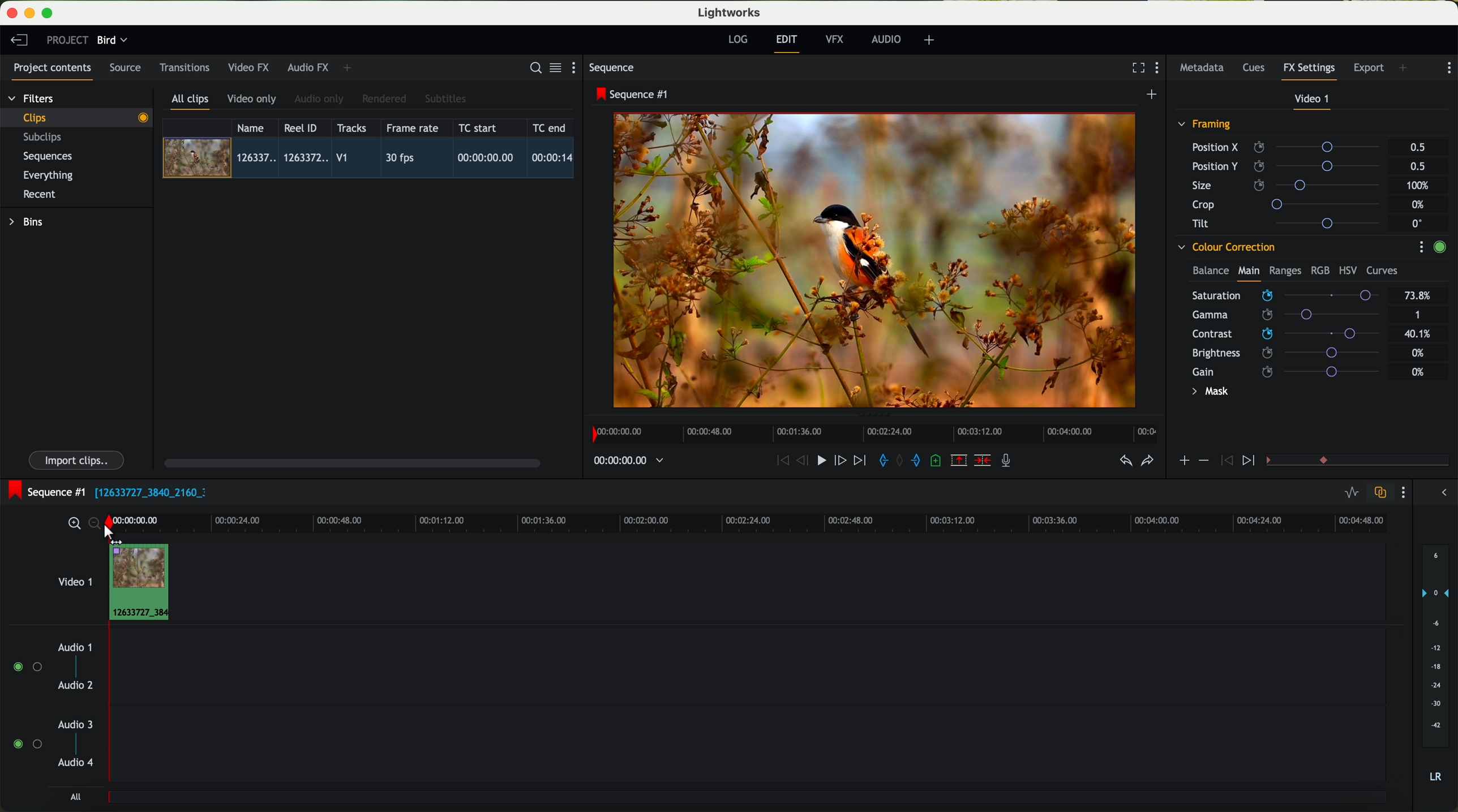 This screenshot has height=812, width=1458. Describe the element at coordinates (1225, 461) in the screenshot. I see `icon` at that location.